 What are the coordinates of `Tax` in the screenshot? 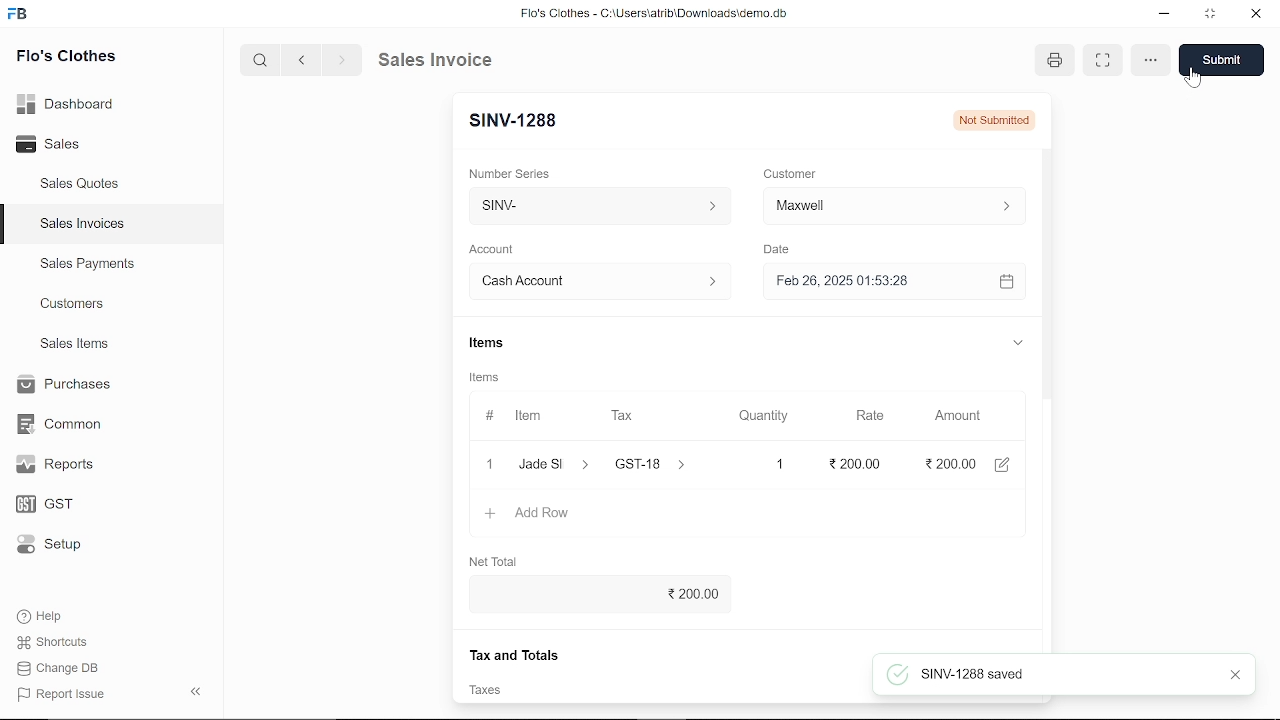 It's located at (626, 416).